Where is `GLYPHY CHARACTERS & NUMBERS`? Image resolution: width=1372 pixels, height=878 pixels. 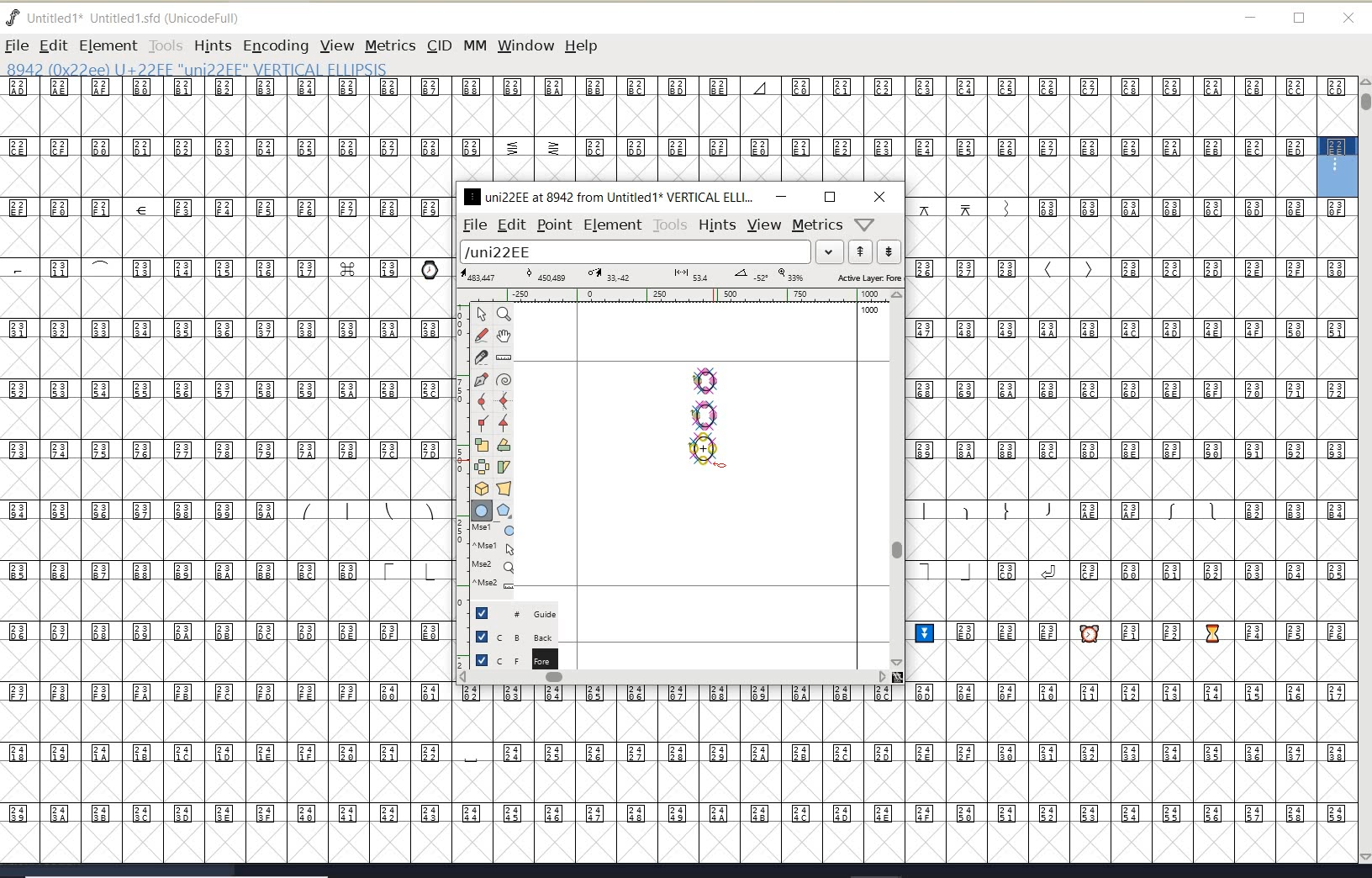 GLYPHY CHARACTERS & NUMBERS is located at coordinates (223, 431).